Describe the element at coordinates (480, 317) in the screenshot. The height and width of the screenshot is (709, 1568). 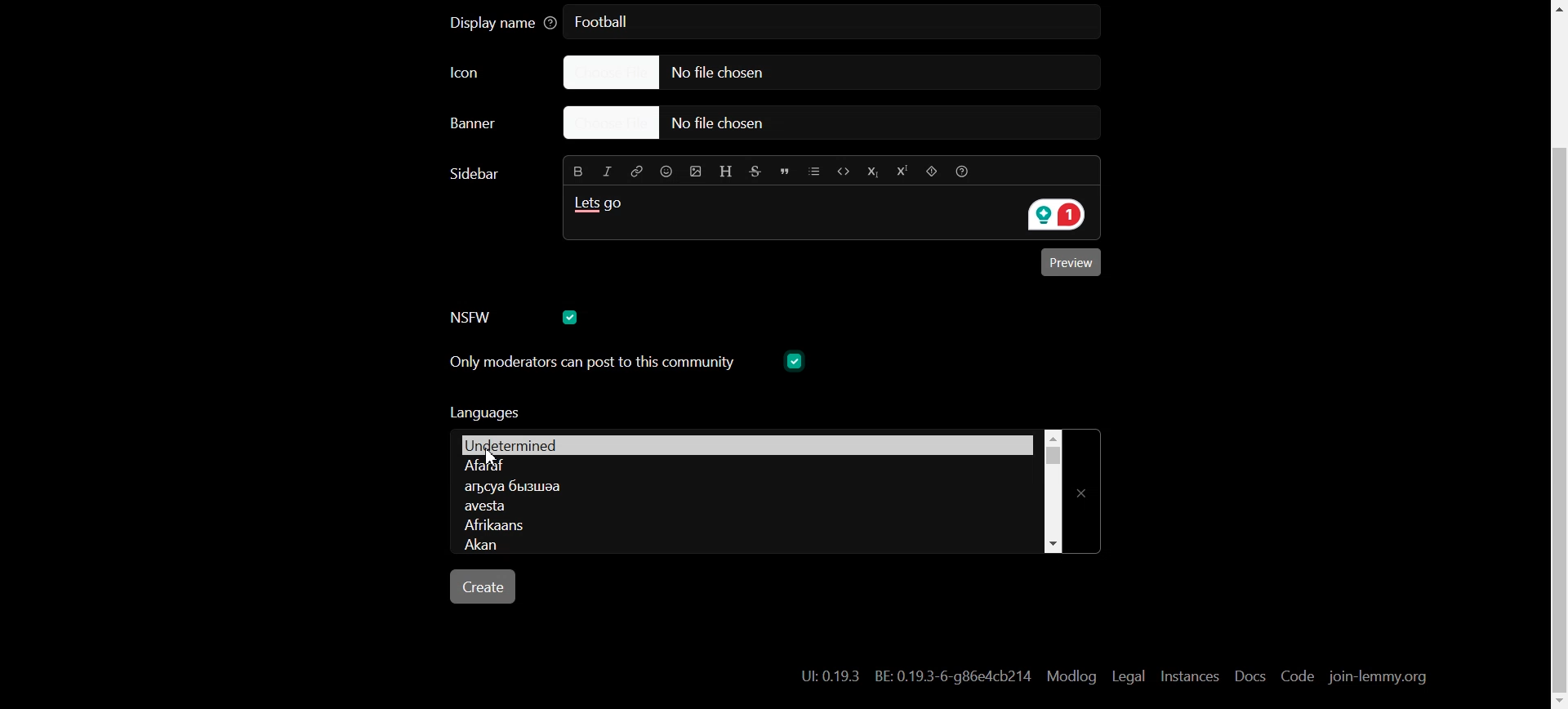
I see `NSFW Enable` at that location.